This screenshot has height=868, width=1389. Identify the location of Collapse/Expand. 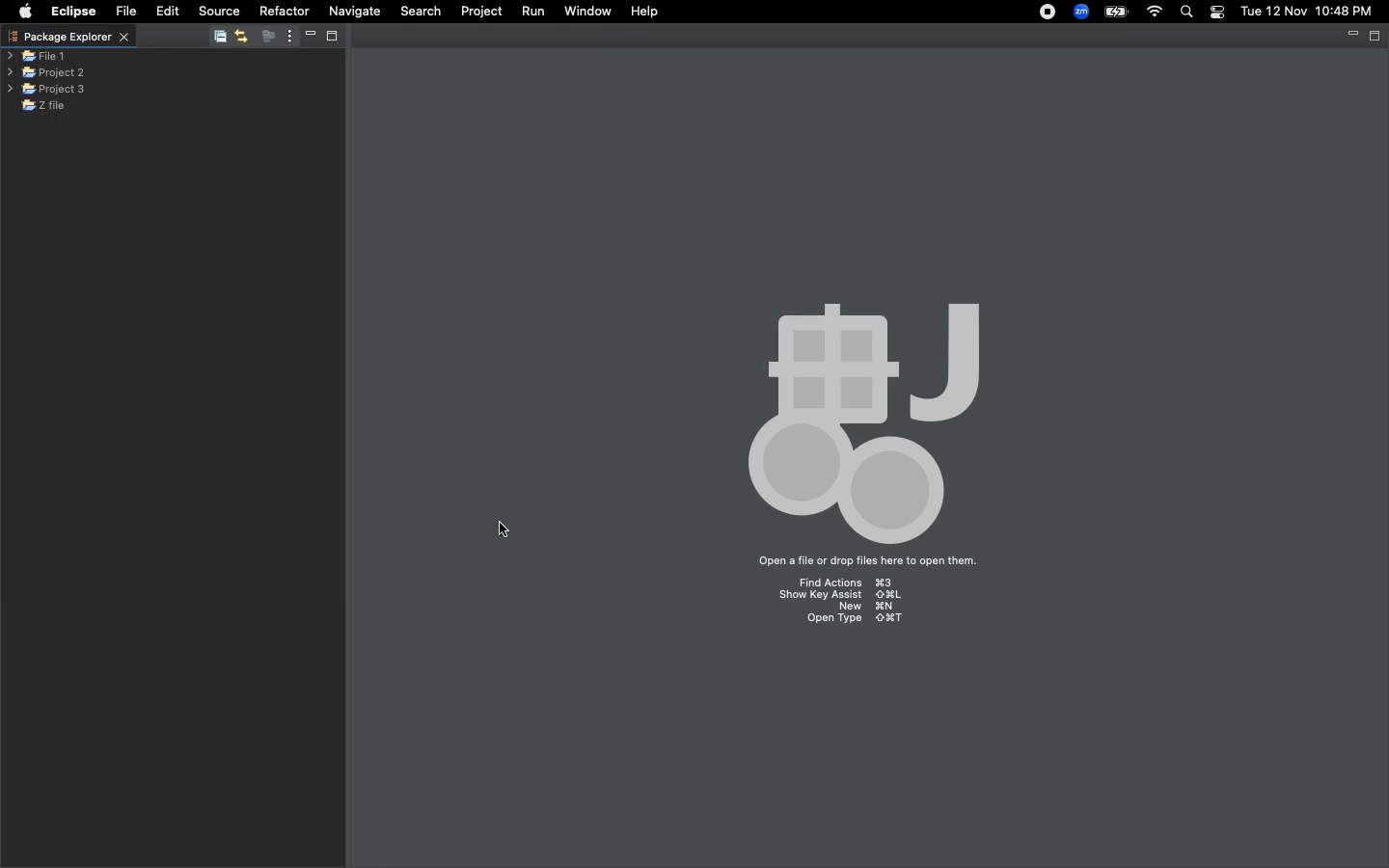
(219, 37).